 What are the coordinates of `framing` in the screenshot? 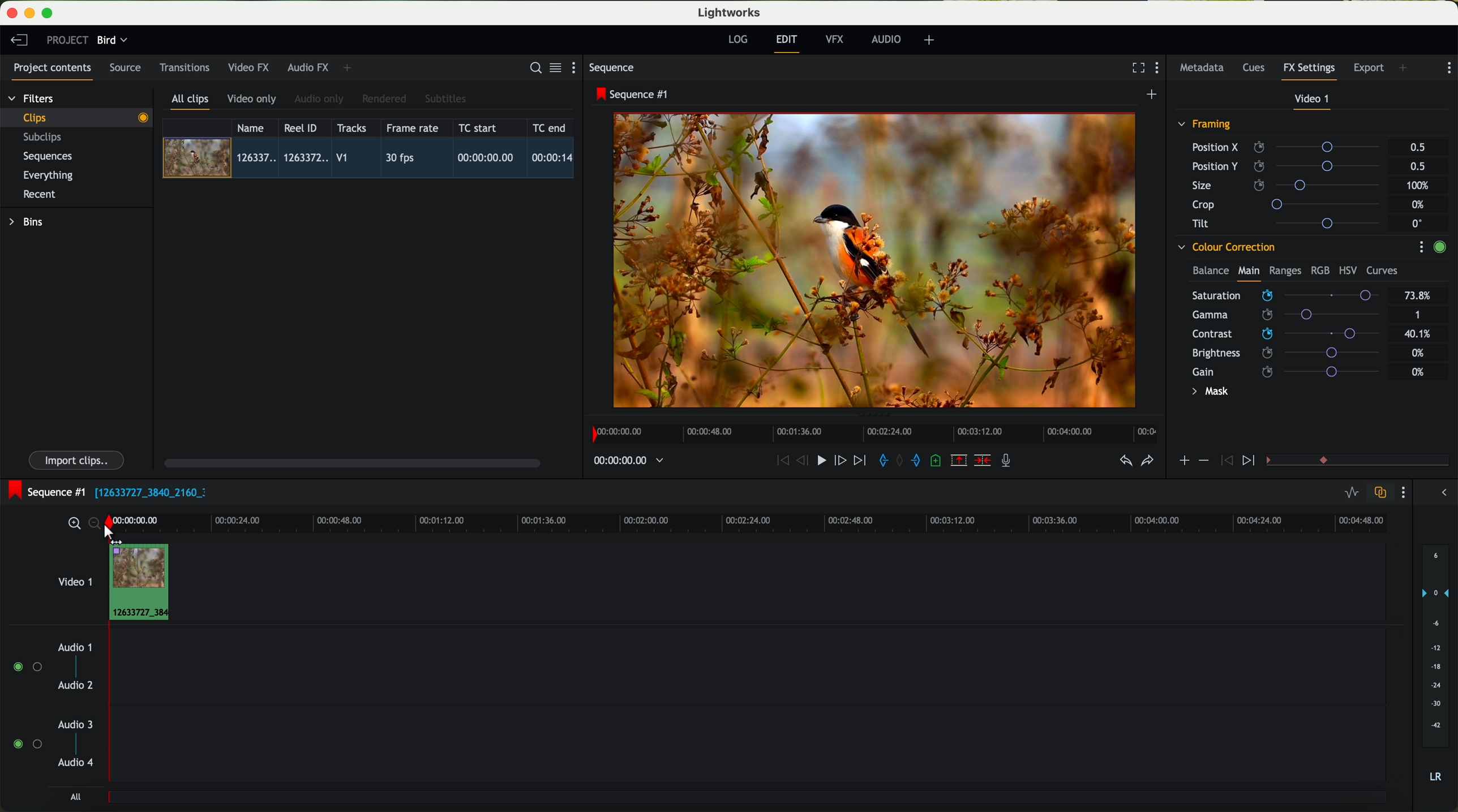 It's located at (1205, 126).